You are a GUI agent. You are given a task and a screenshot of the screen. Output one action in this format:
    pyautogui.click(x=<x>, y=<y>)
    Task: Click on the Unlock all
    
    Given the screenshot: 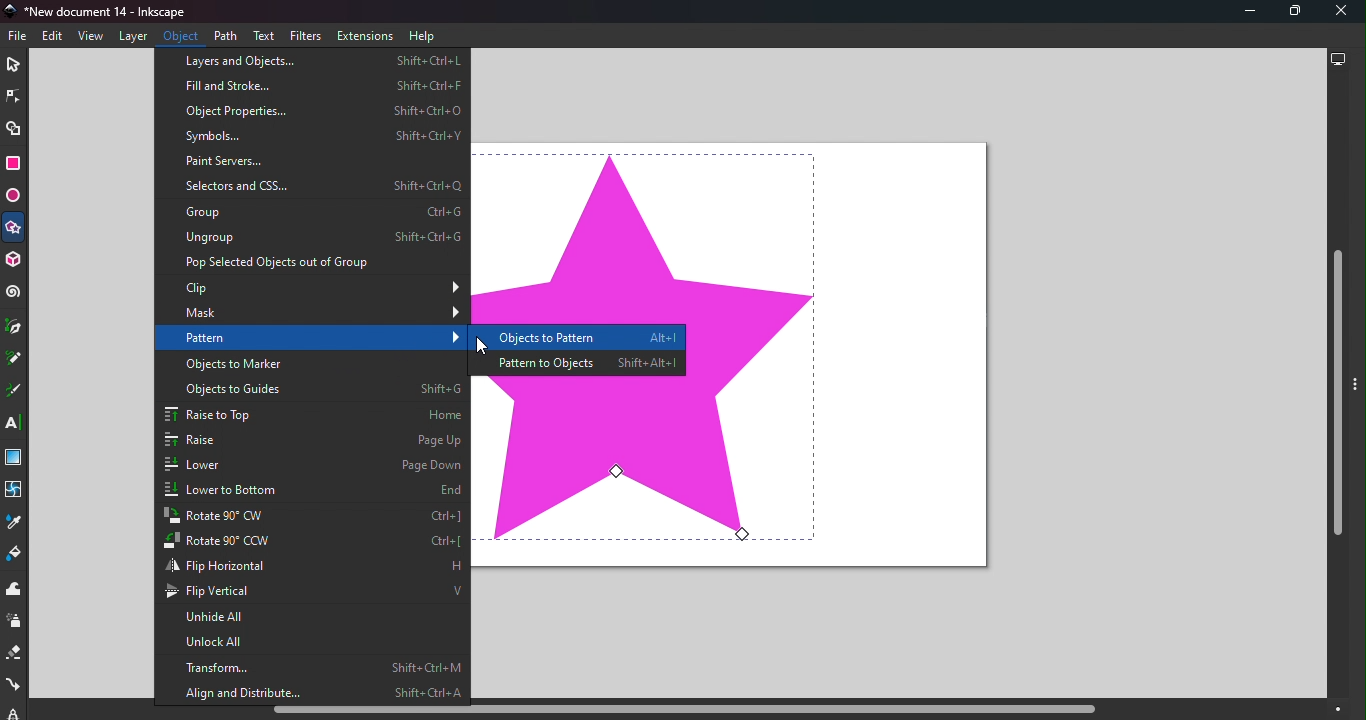 What is the action you would take?
    pyautogui.click(x=316, y=642)
    